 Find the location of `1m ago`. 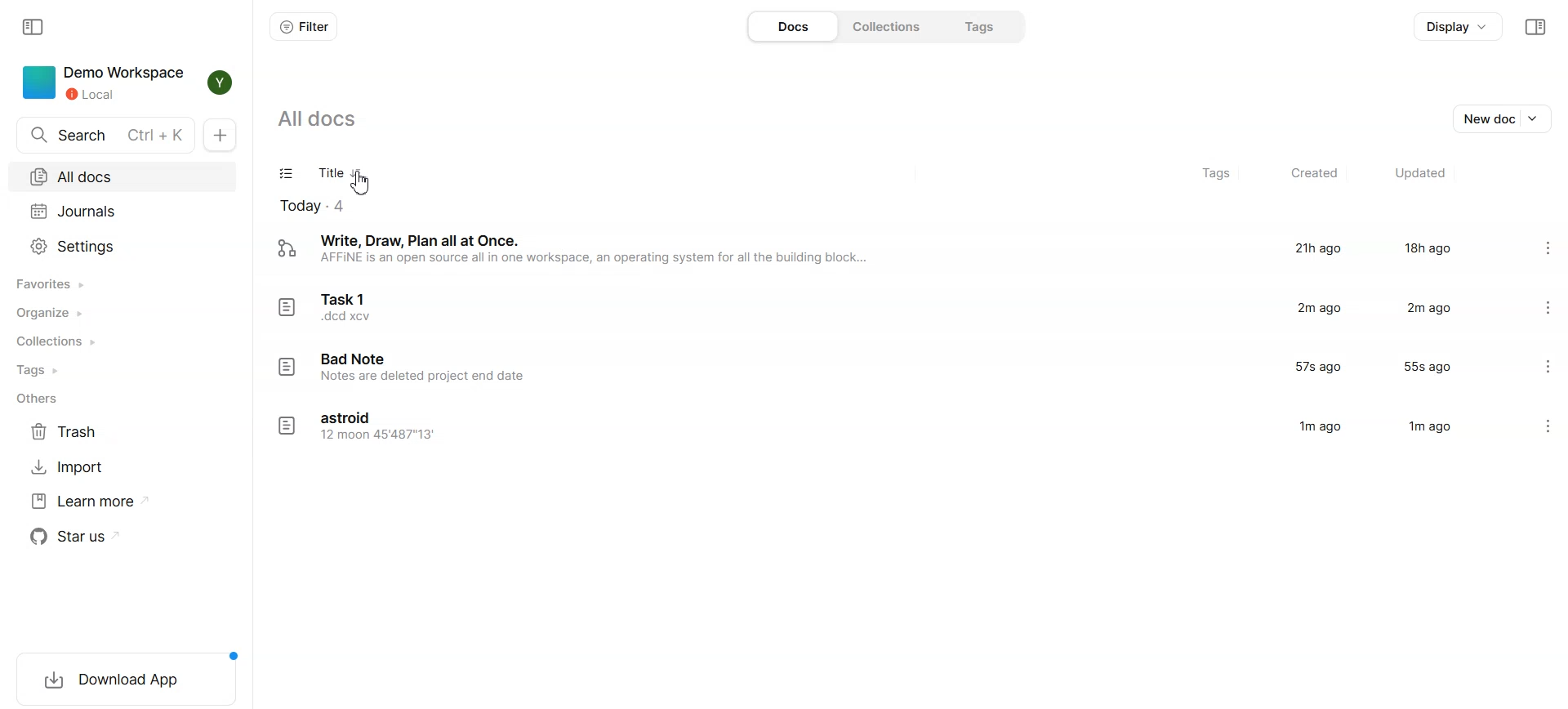

1m ago is located at coordinates (1430, 428).